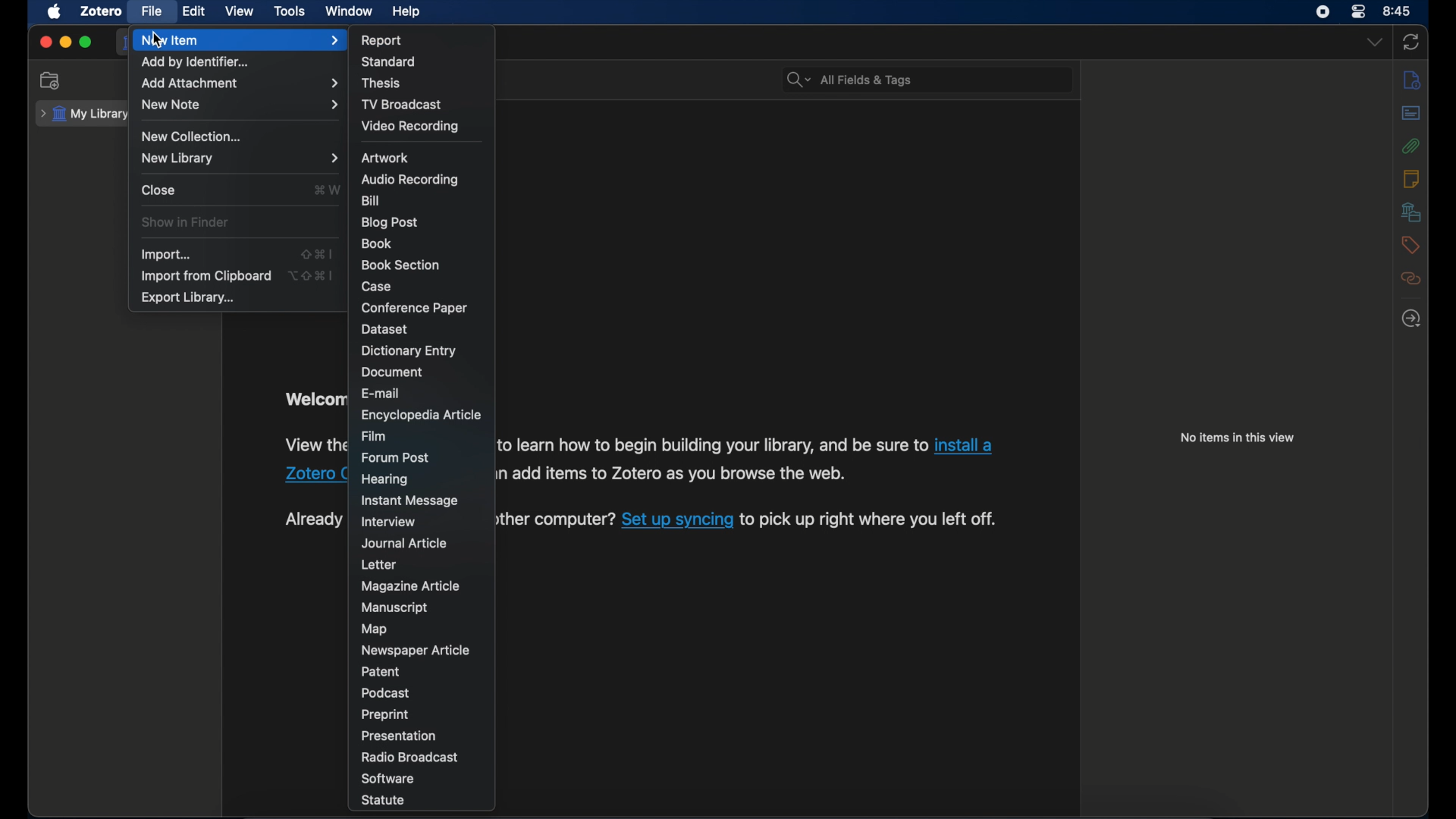 Image resolution: width=1456 pixels, height=819 pixels. I want to click on 8.45, so click(1398, 10).